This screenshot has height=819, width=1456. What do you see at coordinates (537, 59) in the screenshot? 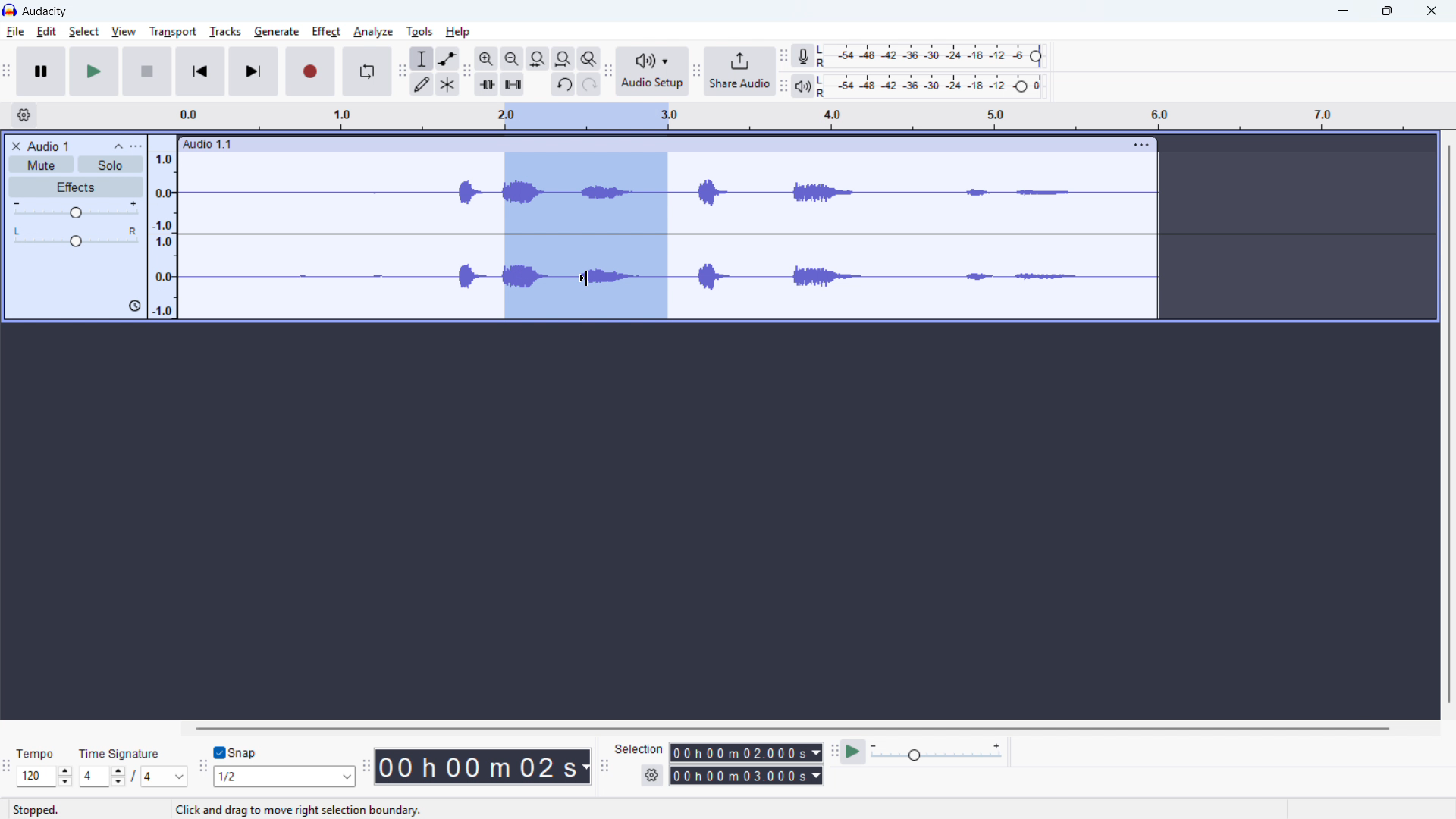
I see `Fit selection to width` at bounding box center [537, 59].